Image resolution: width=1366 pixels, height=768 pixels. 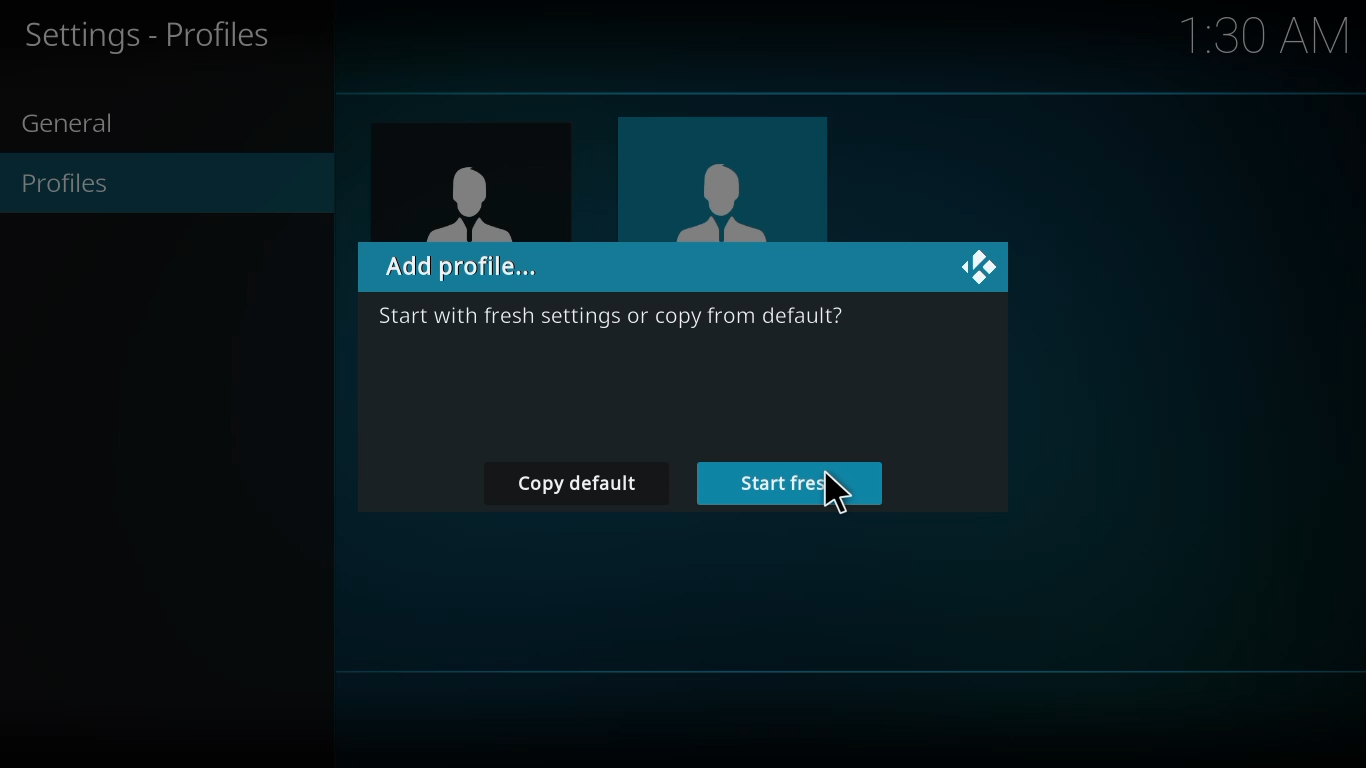 What do you see at coordinates (839, 496) in the screenshot?
I see `cursor` at bounding box center [839, 496].